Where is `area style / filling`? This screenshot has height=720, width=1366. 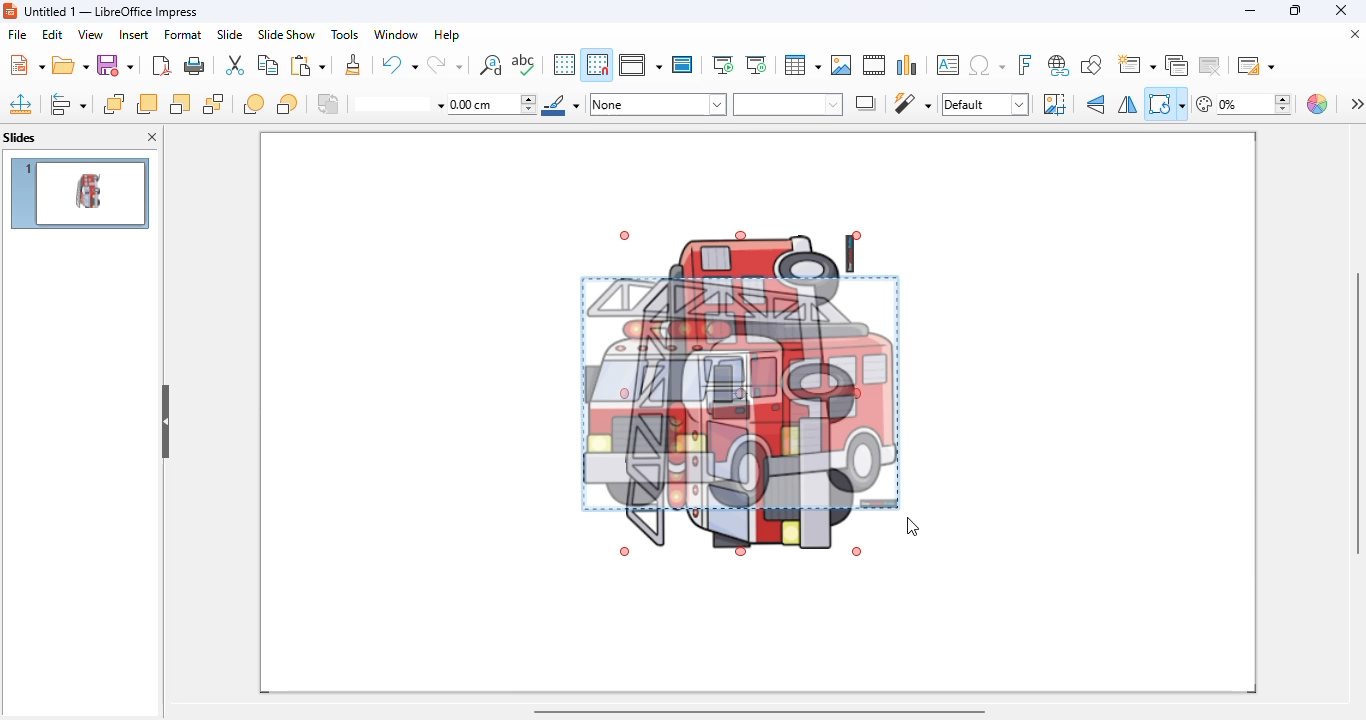 area style / filling is located at coordinates (788, 104).